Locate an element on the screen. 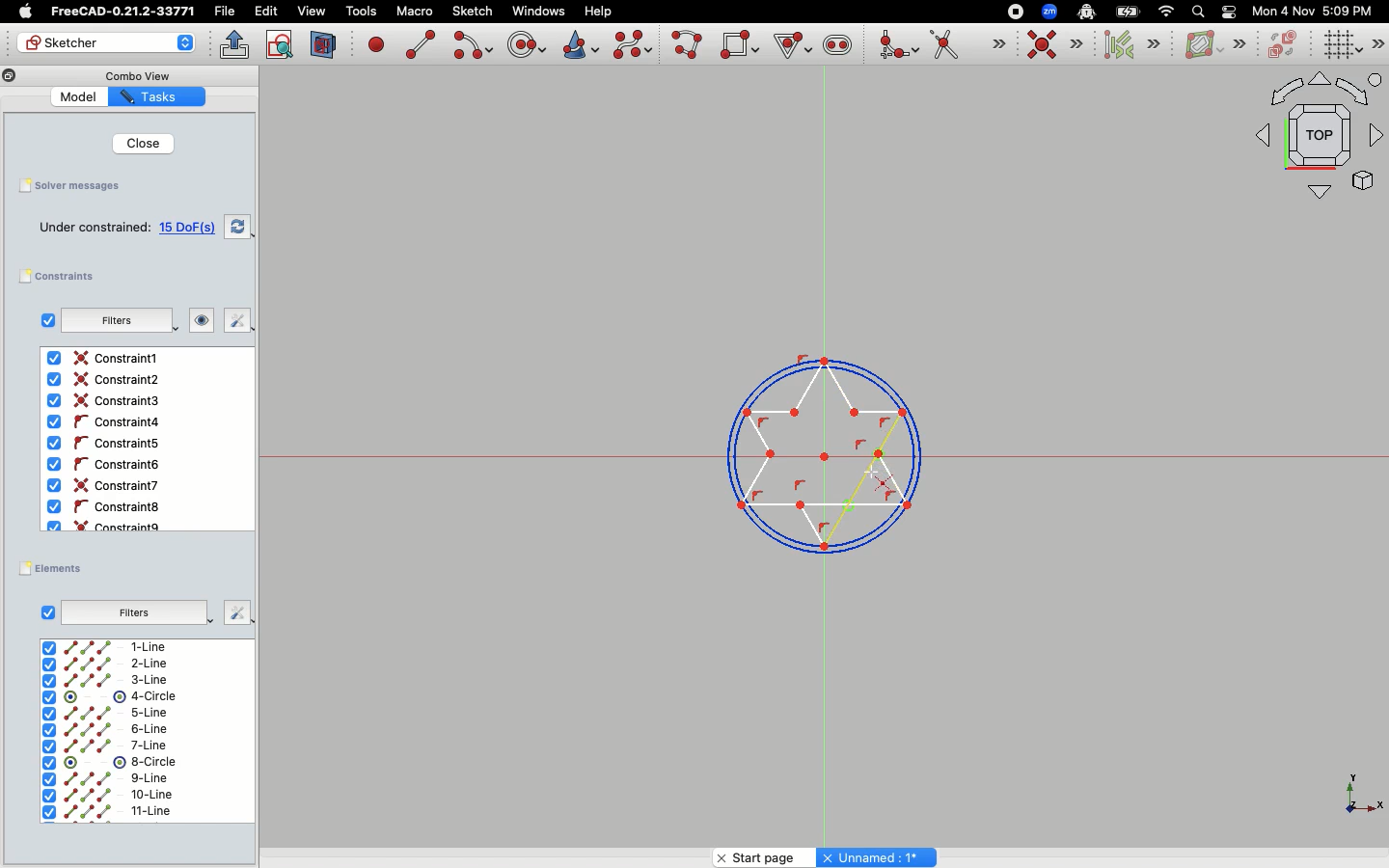 The width and height of the screenshot is (1389, 868). Network is located at coordinates (1167, 12).